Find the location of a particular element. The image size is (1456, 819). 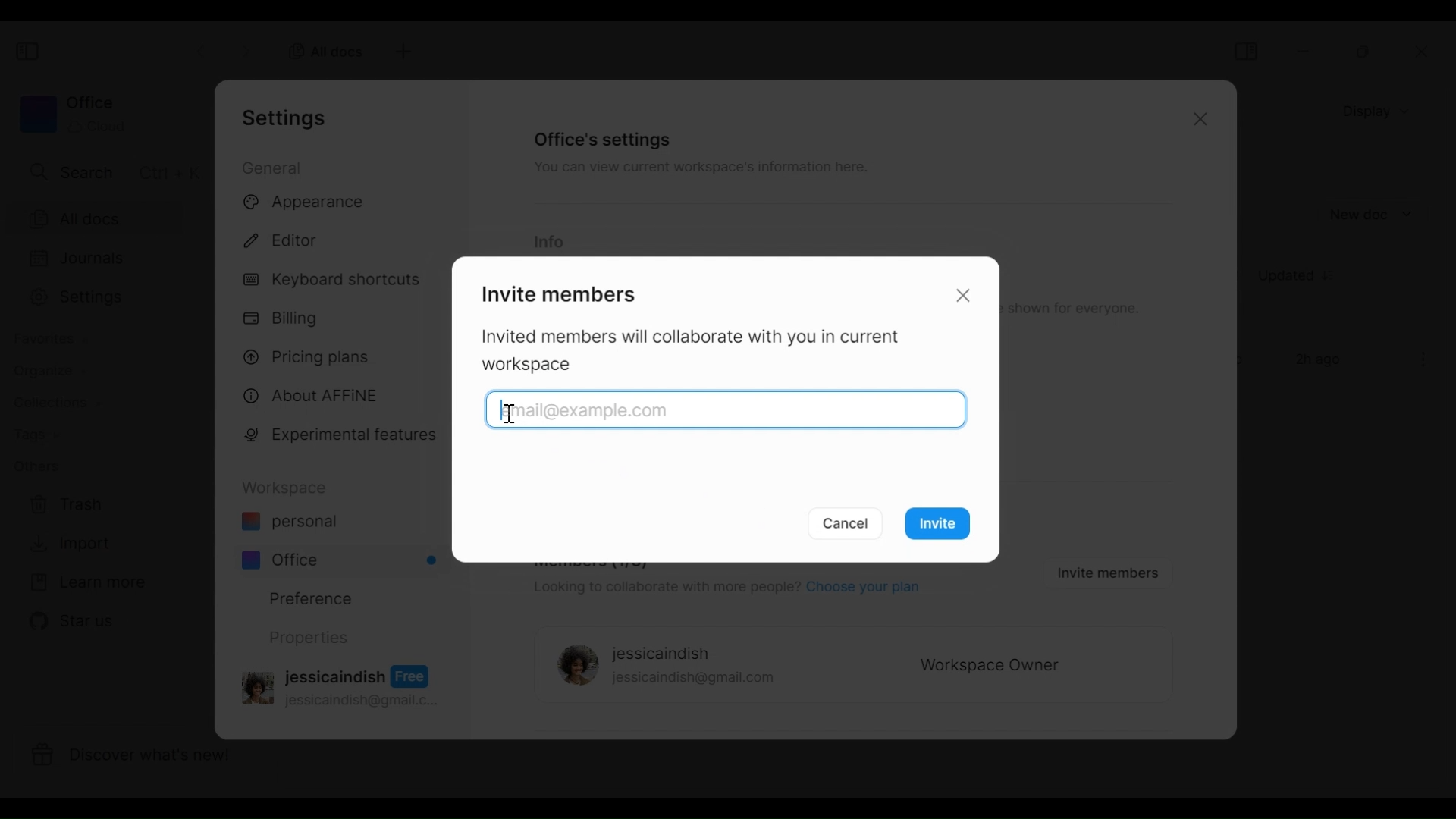

Office's settings is located at coordinates (604, 139).